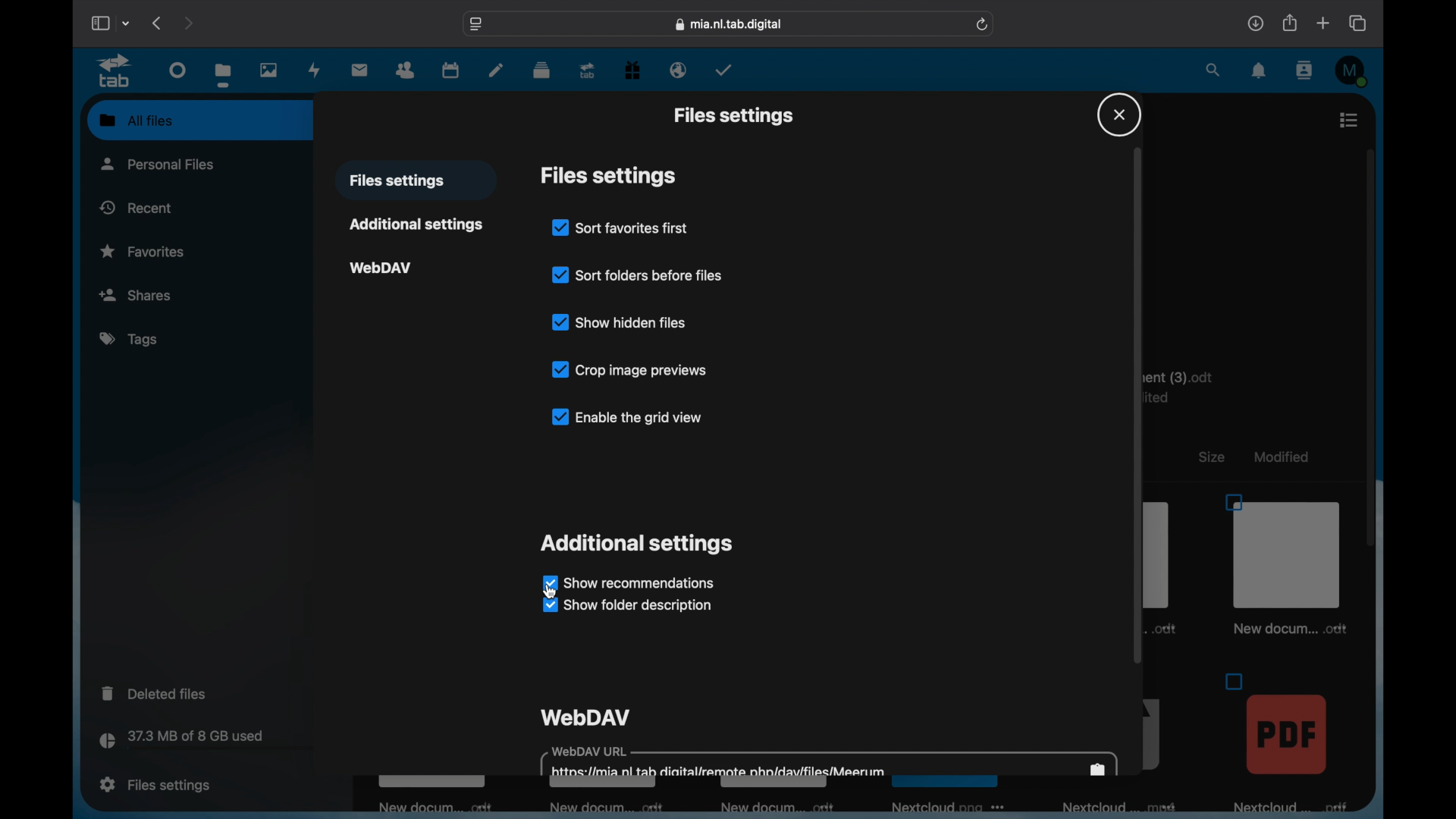 Image resolution: width=1456 pixels, height=819 pixels. I want to click on , so click(1371, 347).